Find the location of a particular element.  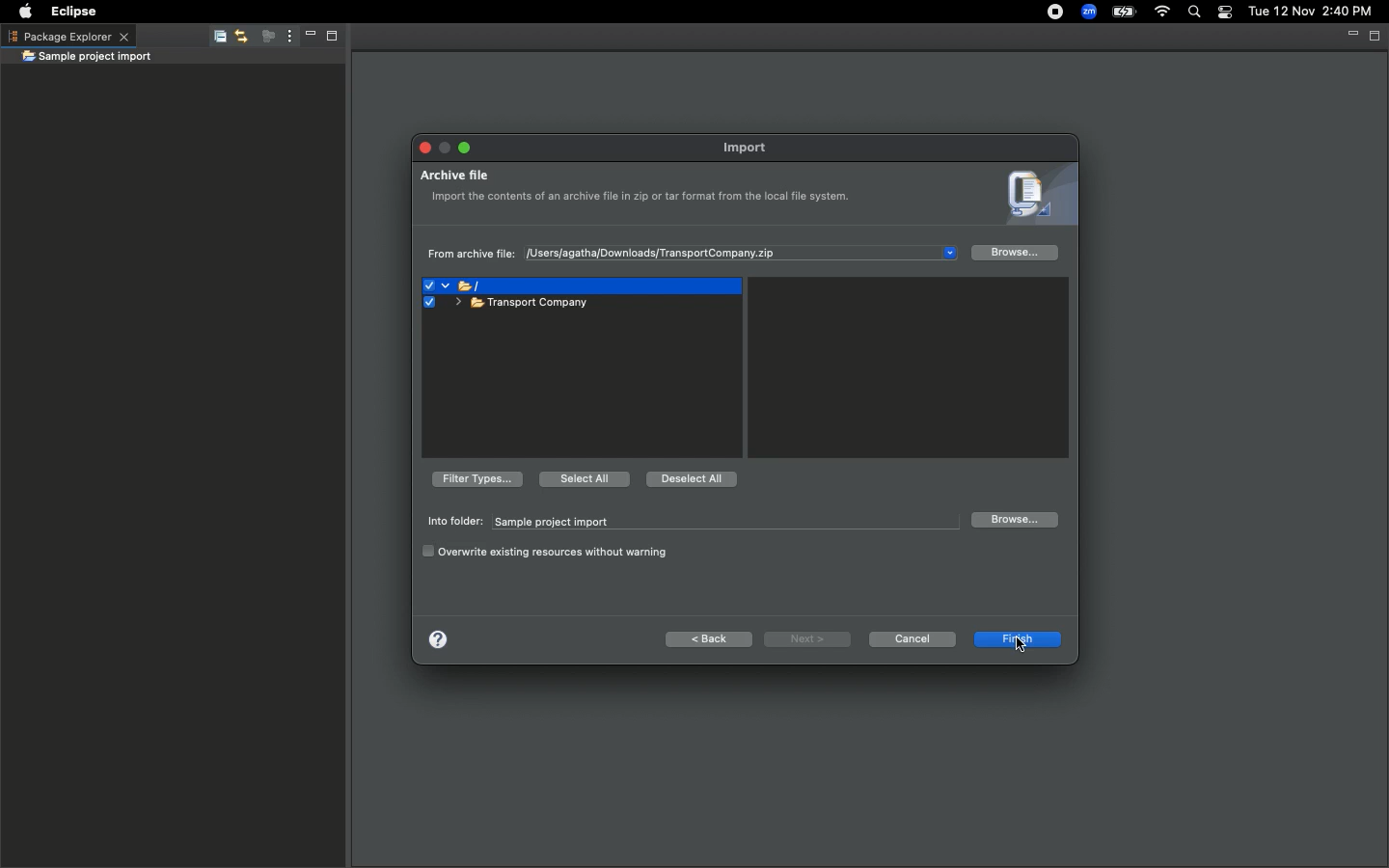

File is located at coordinates (460, 289).